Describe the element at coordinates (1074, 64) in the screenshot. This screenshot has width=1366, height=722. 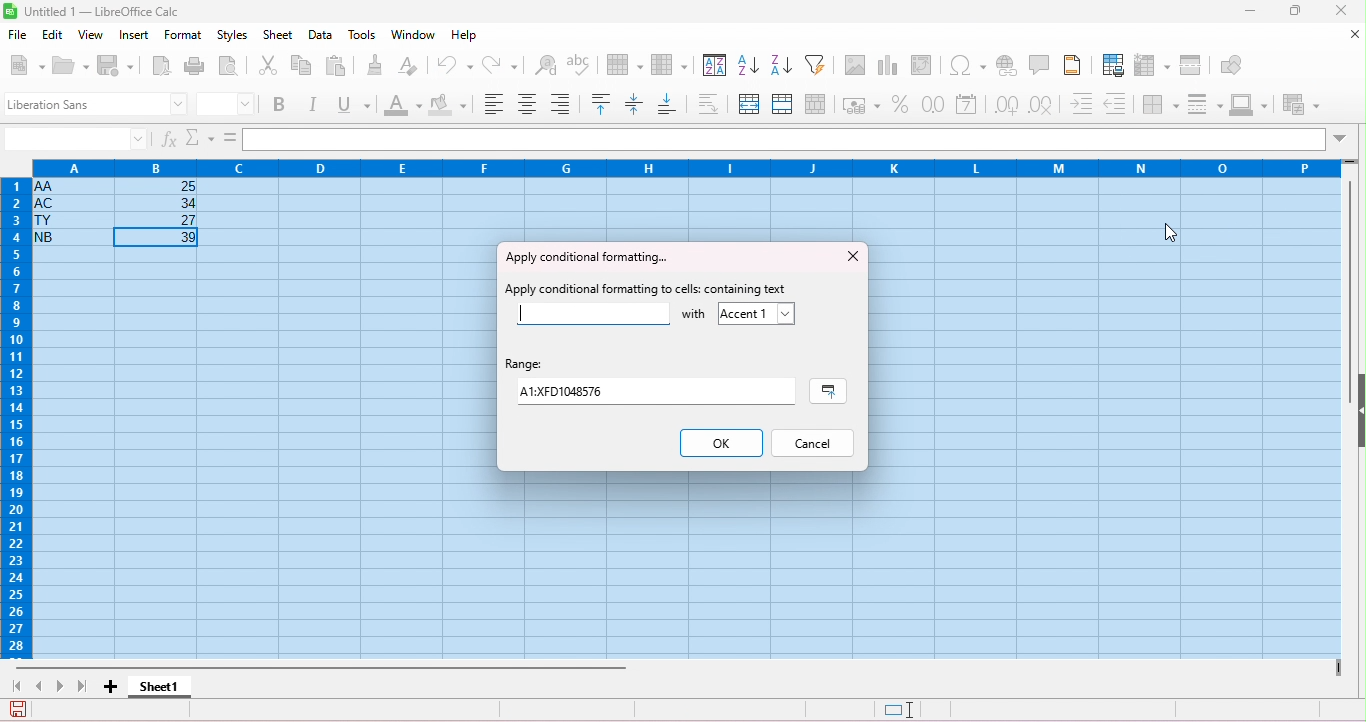
I see `header and footer` at that location.